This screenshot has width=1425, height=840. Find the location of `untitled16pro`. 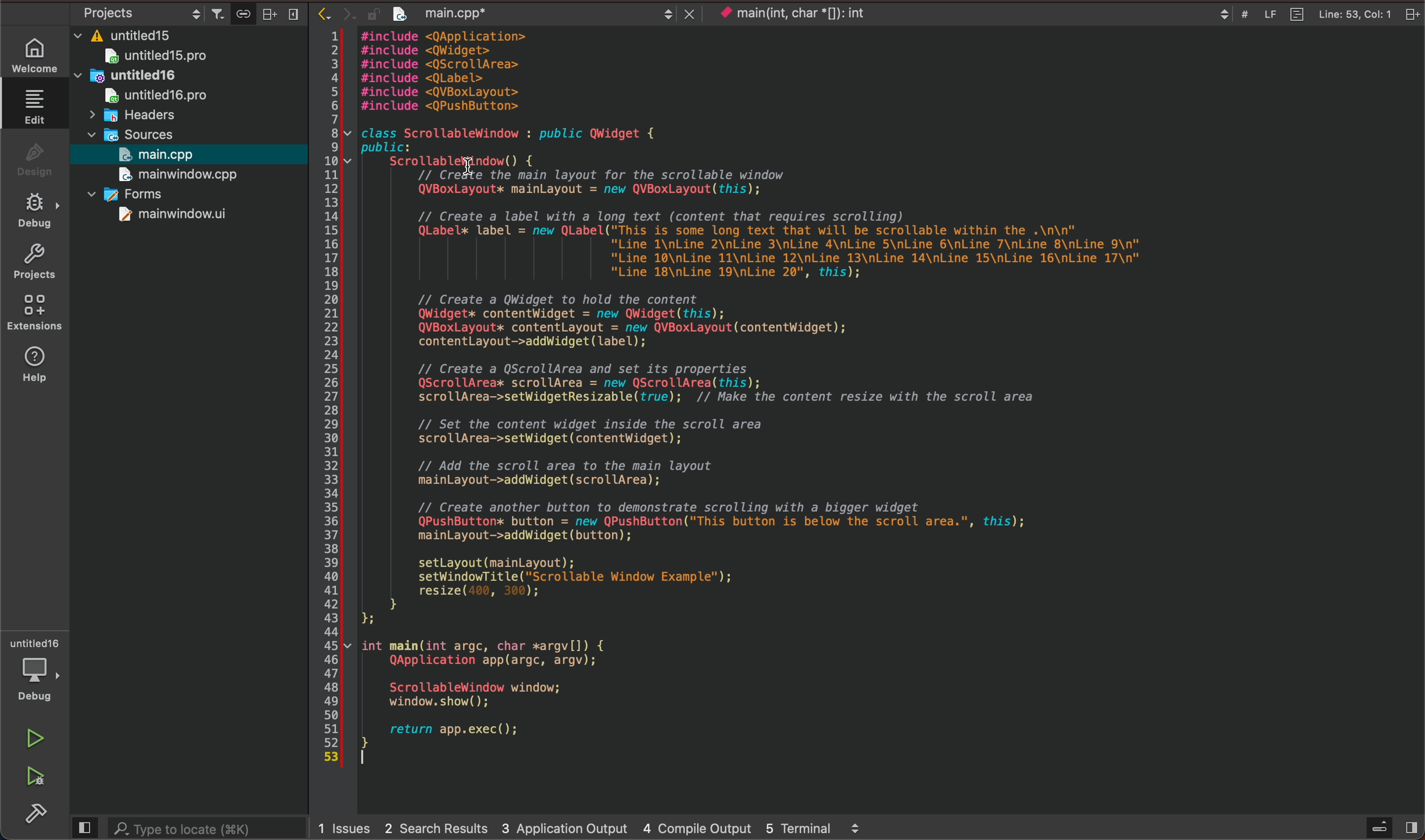

untitled16pro is located at coordinates (159, 95).